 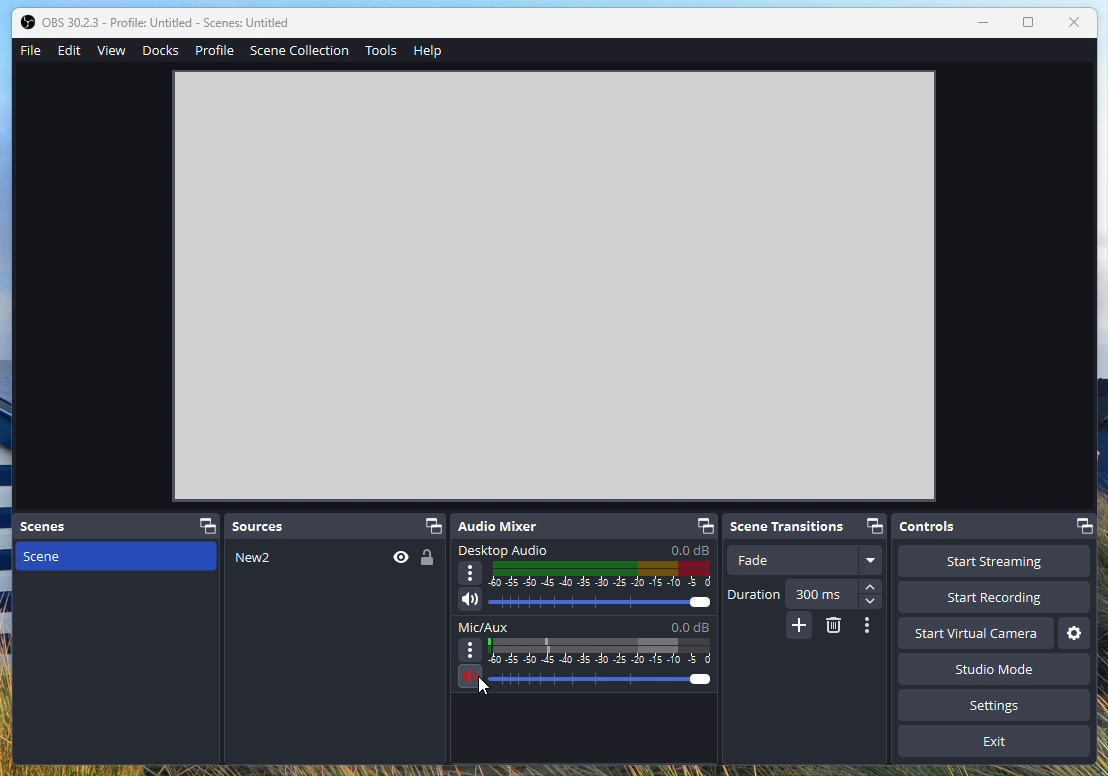 What do you see at coordinates (996, 526) in the screenshot?
I see `Controls` at bounding box center [996, 526].